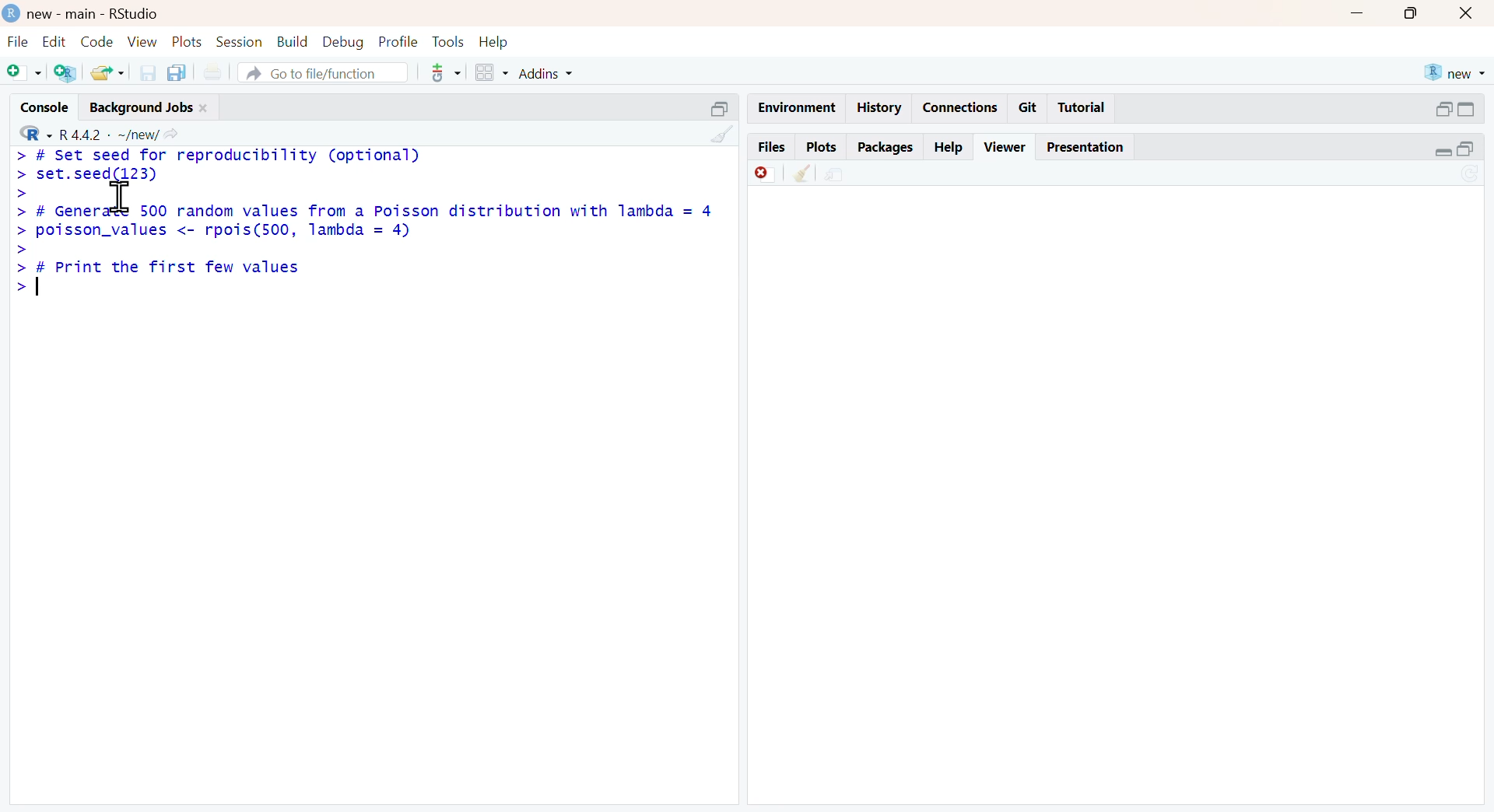 This screenshot has height=812, width=1494. I want to click on logo, so click(11, 12).